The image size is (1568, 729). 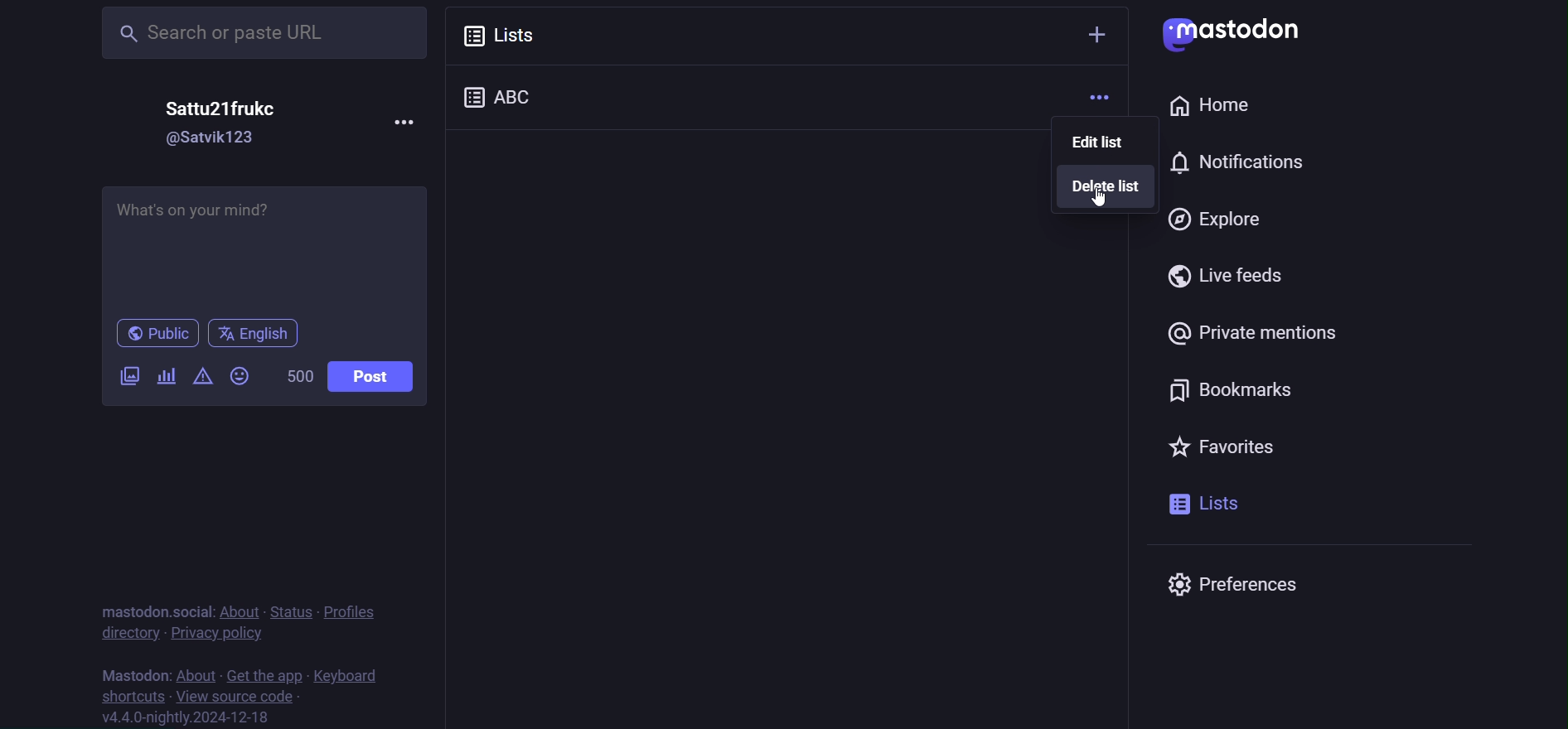 I want to click on add, so click(x=1096, y=32).